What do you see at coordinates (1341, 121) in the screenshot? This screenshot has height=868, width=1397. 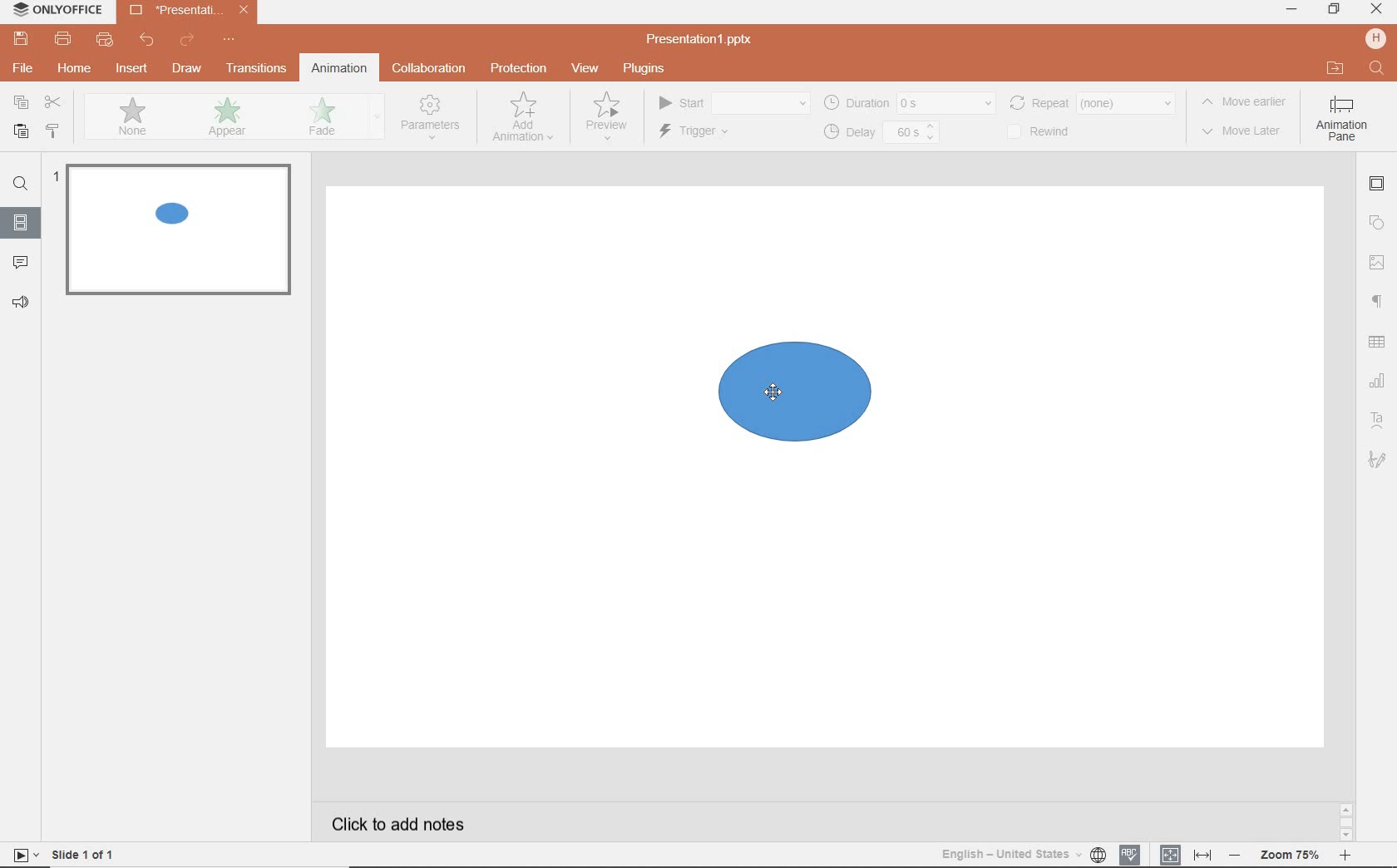 I see `Animation pane` at bounding box center [1341, 121].